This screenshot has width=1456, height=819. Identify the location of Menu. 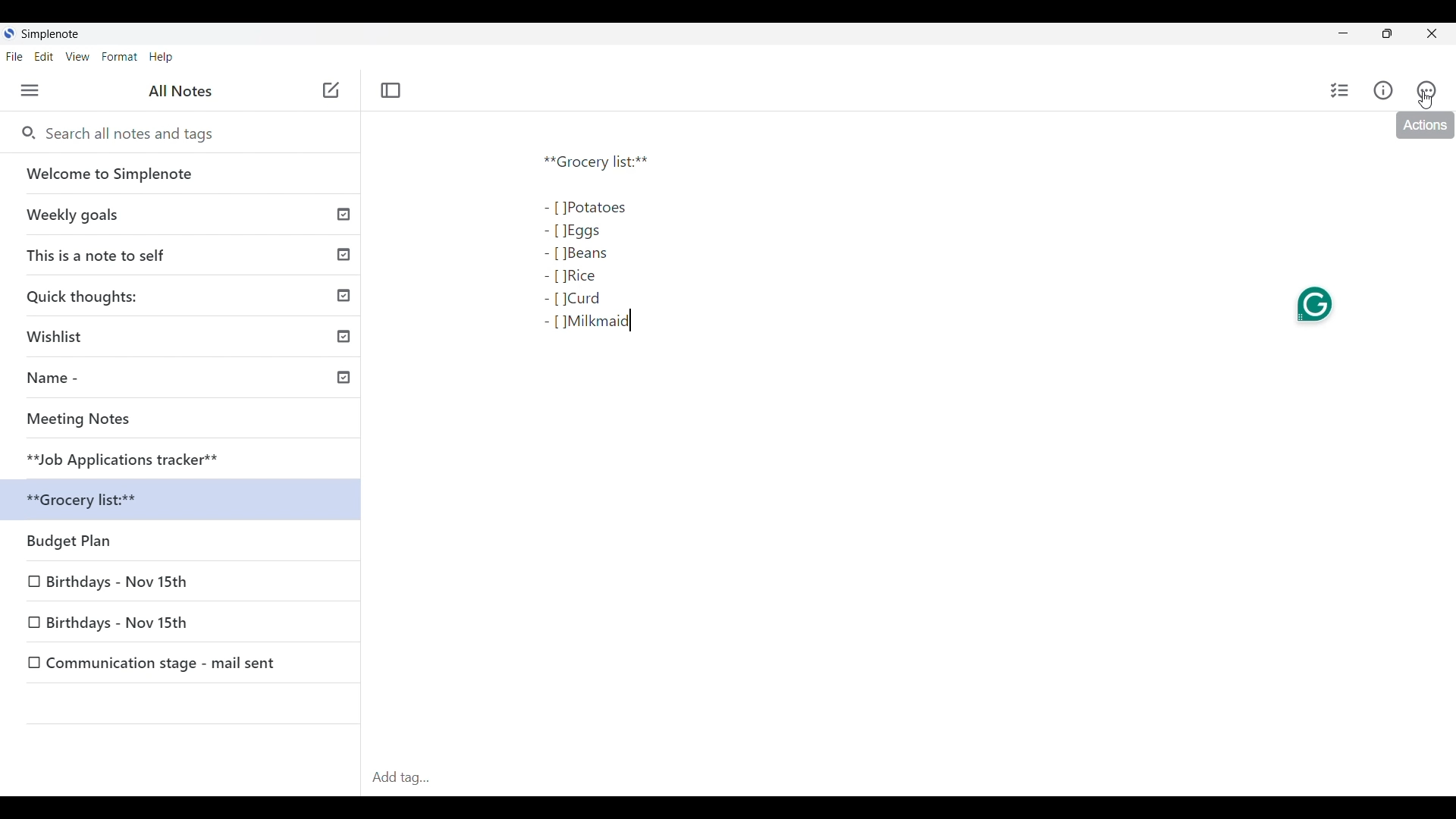
(30, 90).